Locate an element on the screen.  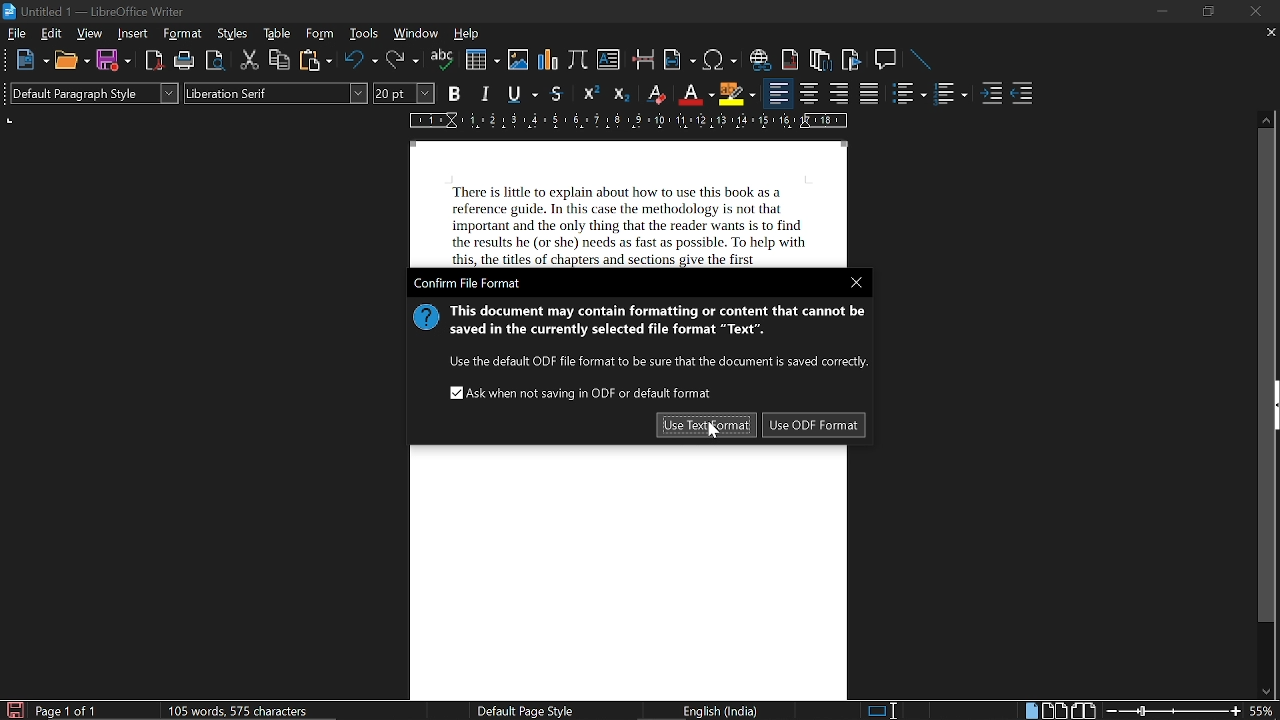
increase indent is located at coordinates (991, 94).